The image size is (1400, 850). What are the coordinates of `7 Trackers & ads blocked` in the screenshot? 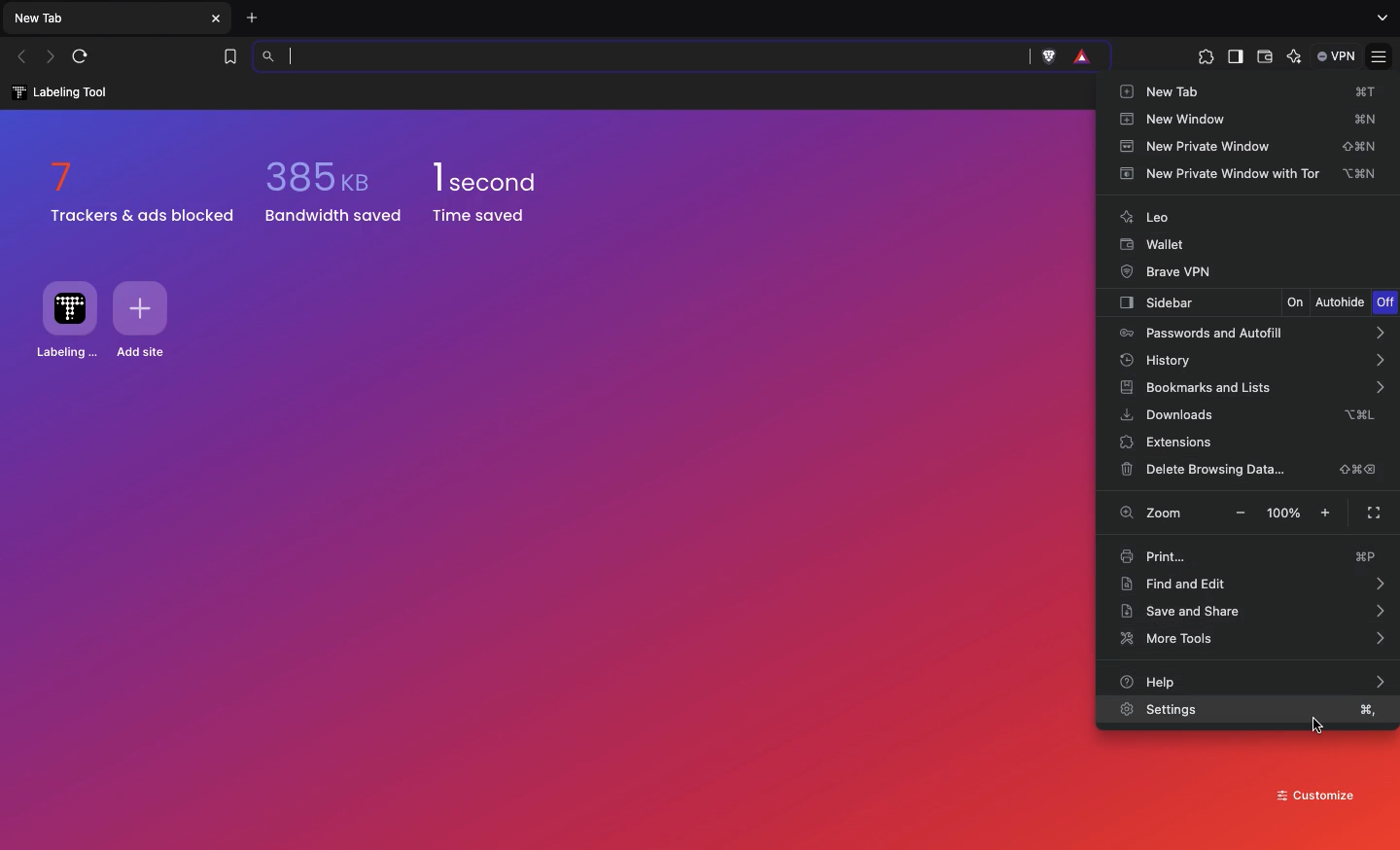 It's located at (135, 188).